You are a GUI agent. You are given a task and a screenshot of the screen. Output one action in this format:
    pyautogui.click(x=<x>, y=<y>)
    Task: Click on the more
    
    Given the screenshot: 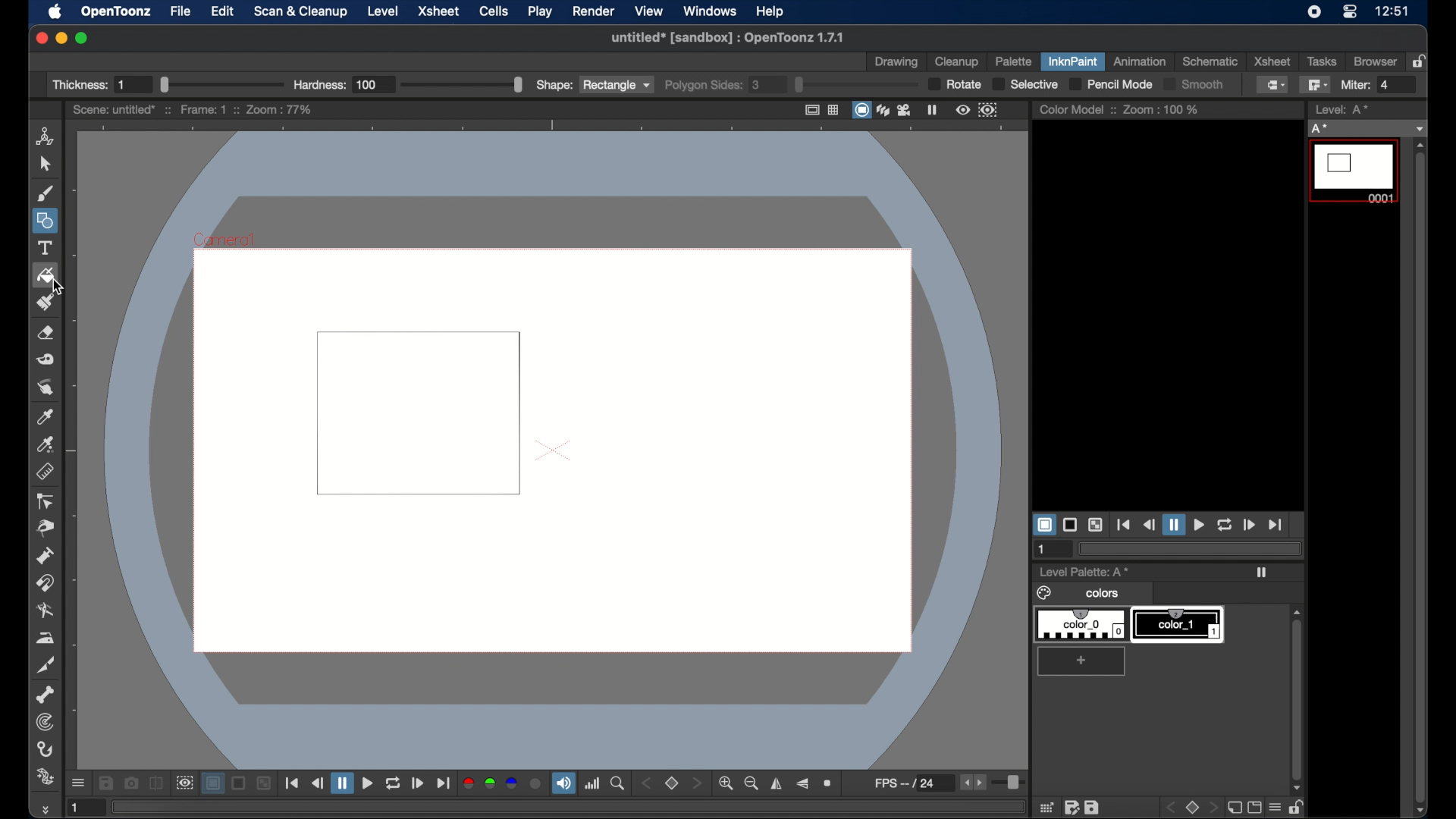 What is the action you would take?
    pyautogui.click(x=44, y=809)
    